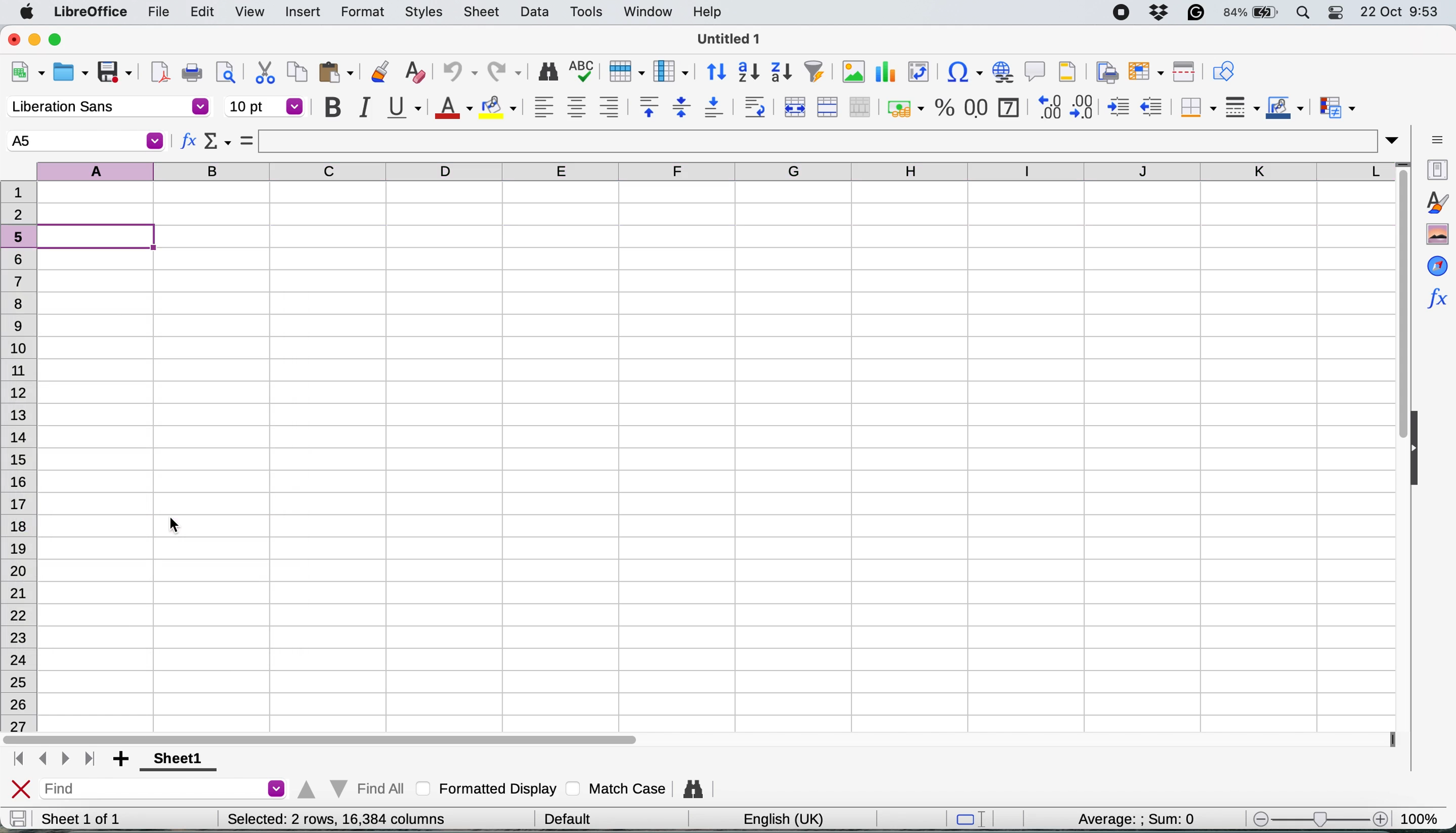 The width and height of the screenshot is (1456, 833). What do you see at coordinates (36, 39) in the screenshot?
I see `minimise` at bounding box center [36, 39].